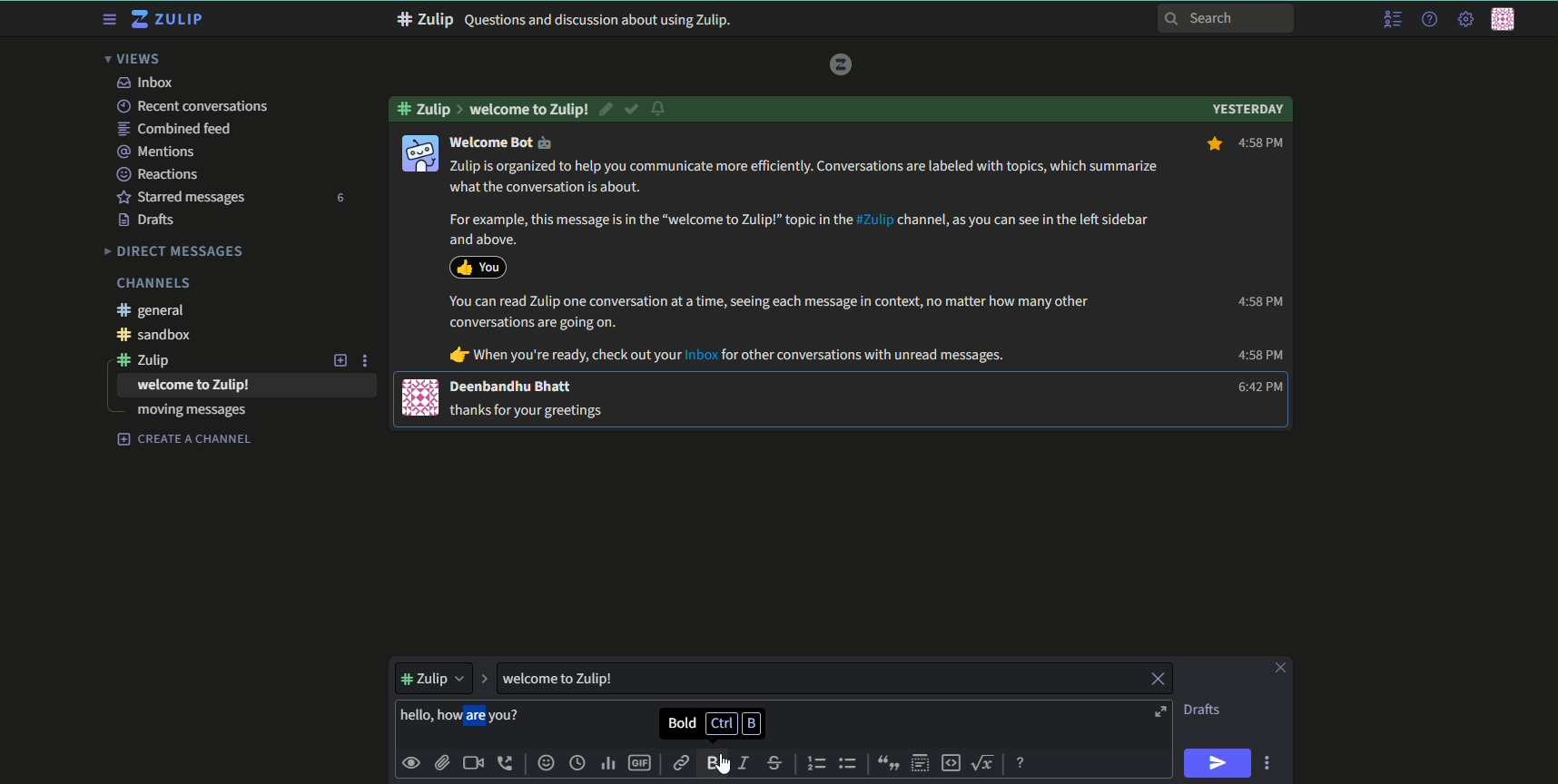 This screenshot has width=1558, height=784. What do you see at coordinates (607, 109) in the screenshot?
I see `edit` at bounding box center [607, 109].